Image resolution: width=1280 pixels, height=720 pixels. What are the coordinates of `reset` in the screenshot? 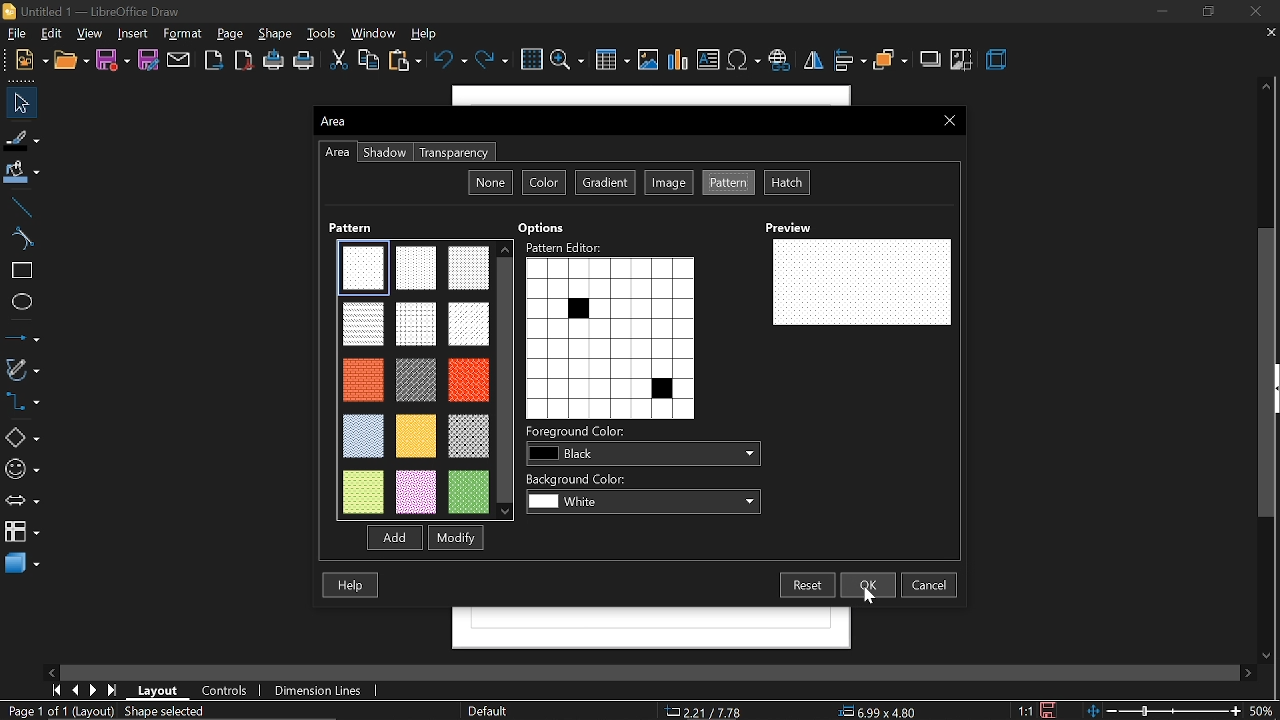 It's located at (806, 585).